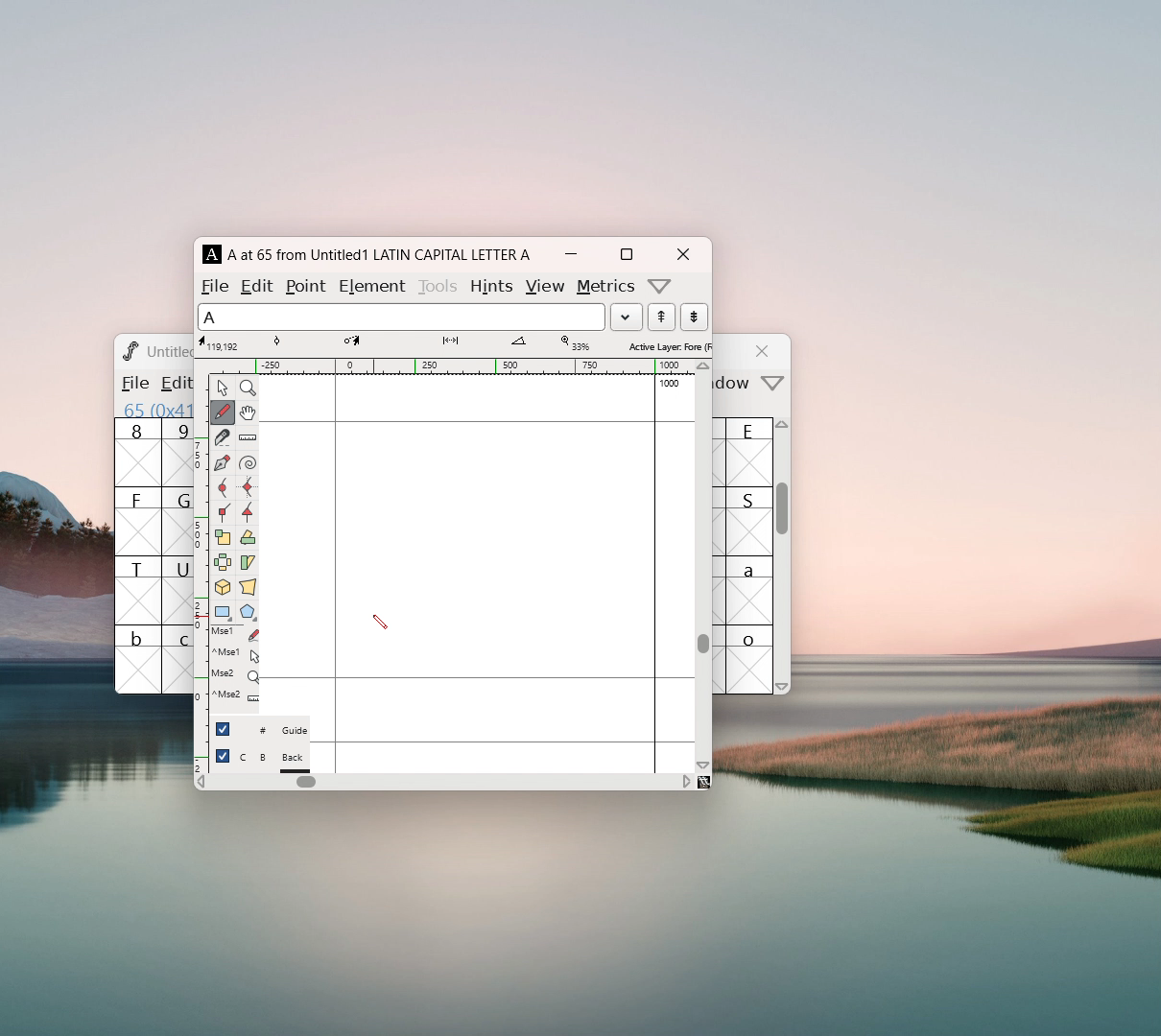  I want to click on scroll by hand , so click(248, 413).